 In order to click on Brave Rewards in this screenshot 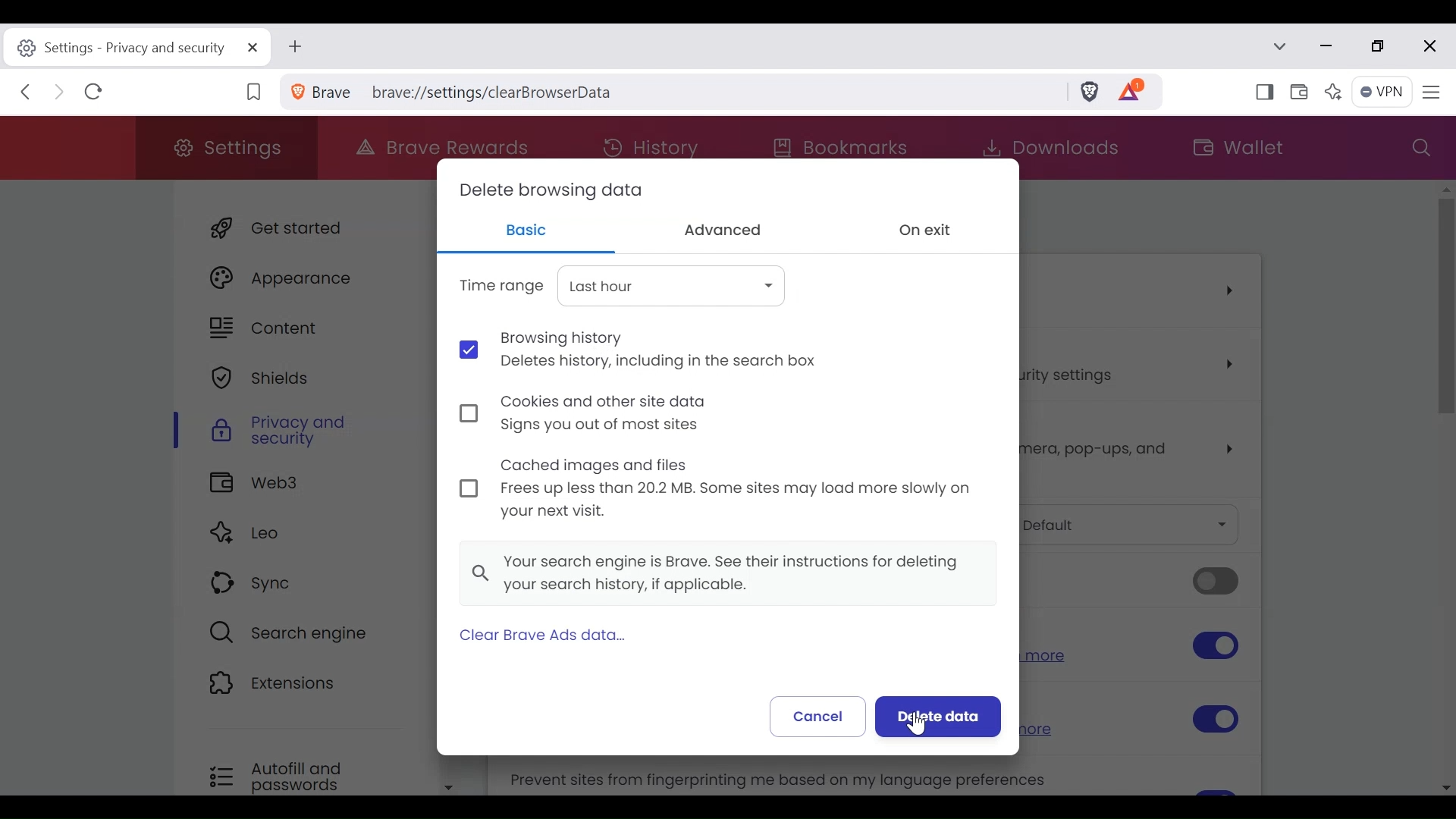, I will do `click(444, 145)`.